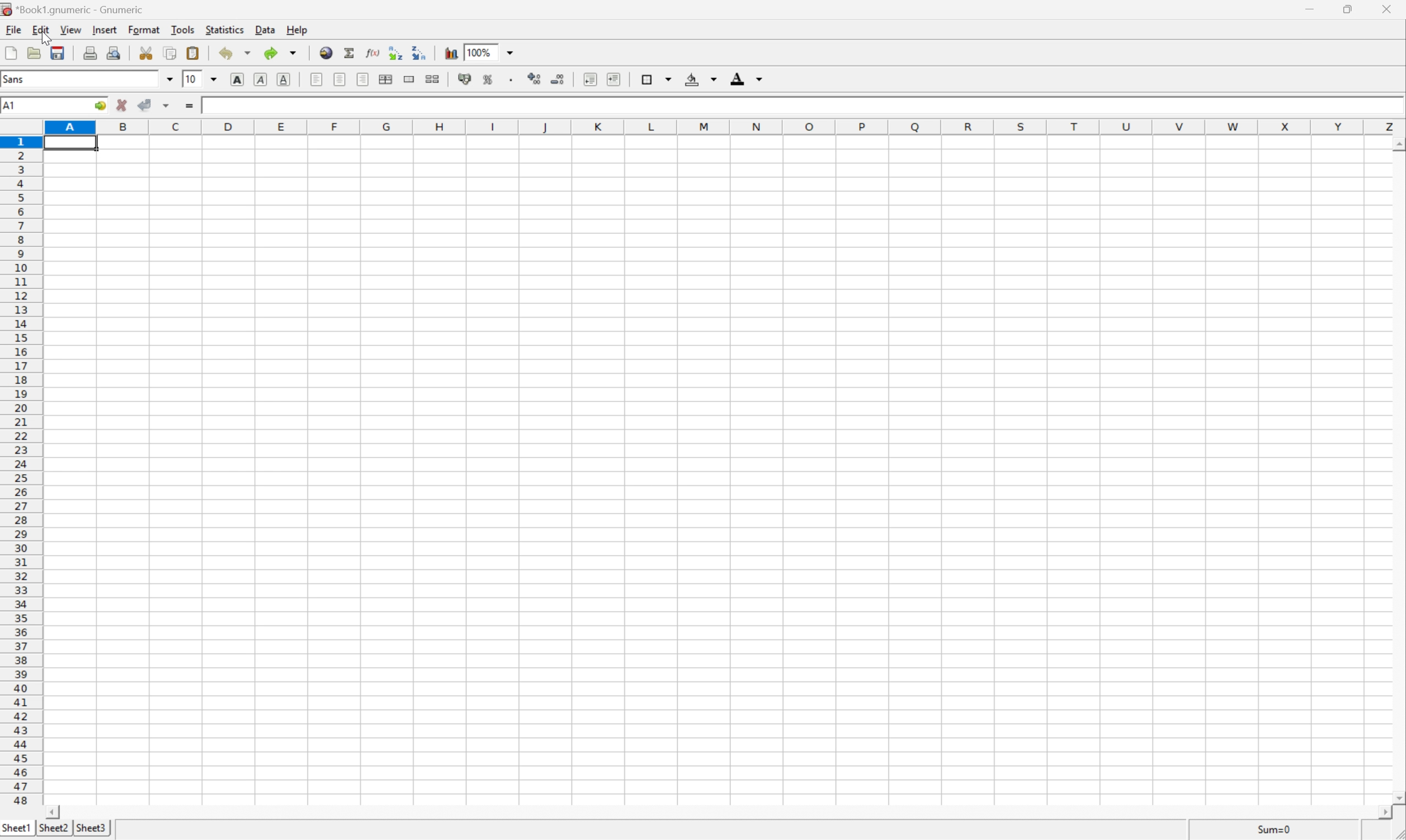 The height and width of the screenshot is (840, 1406). Describe the element at coordinates (614, 79) in the screenshot. I see `increase indent` at that location.